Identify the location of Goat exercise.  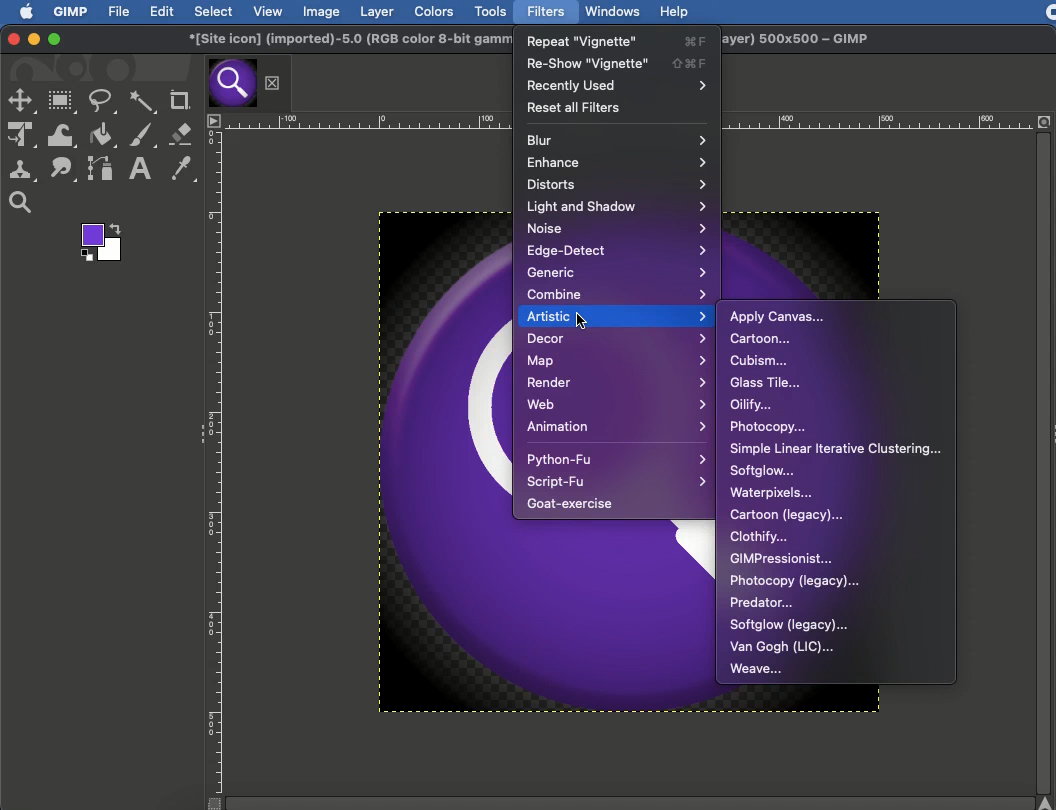
(574, 503).